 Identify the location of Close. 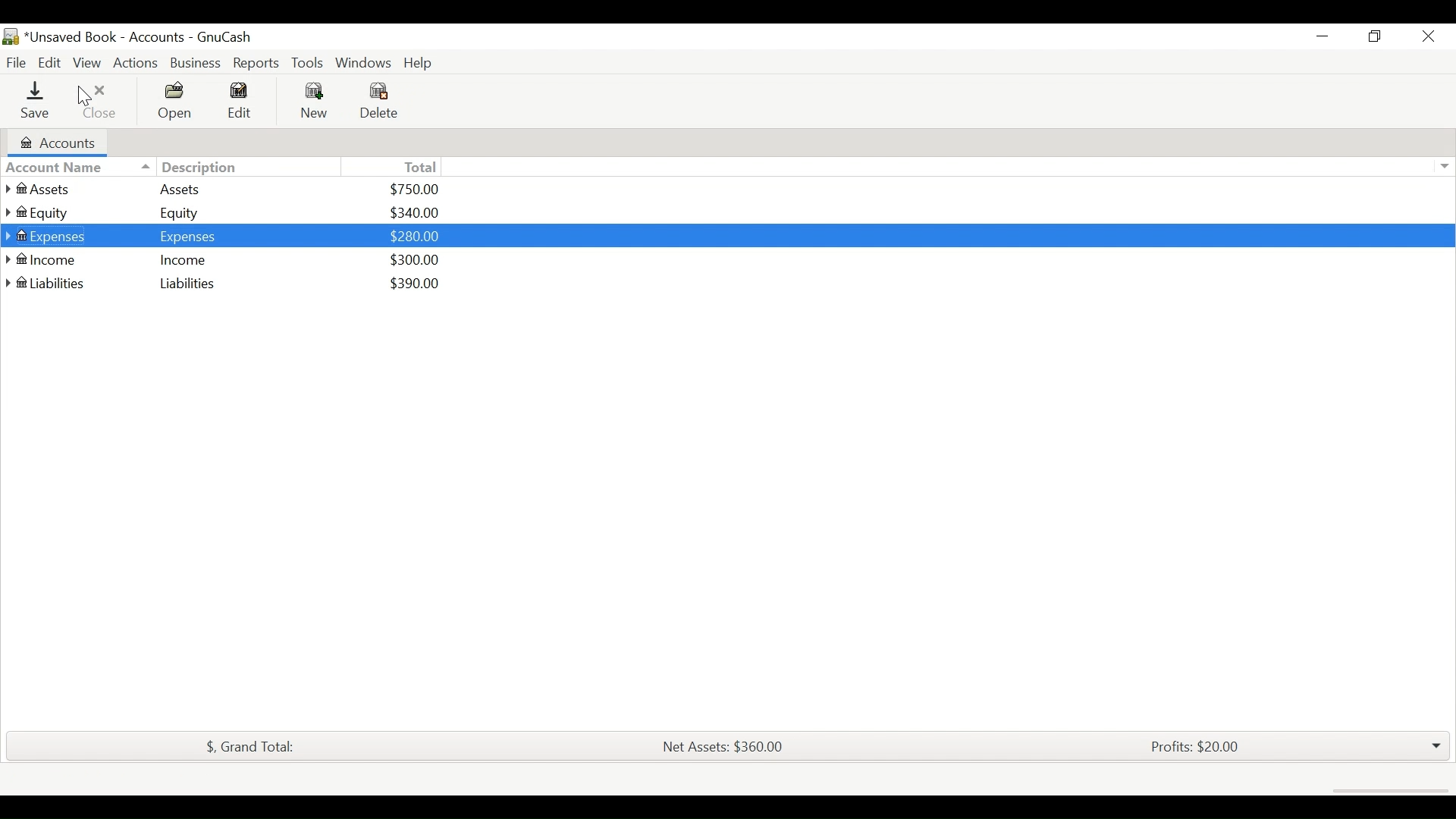
(1422, 39).